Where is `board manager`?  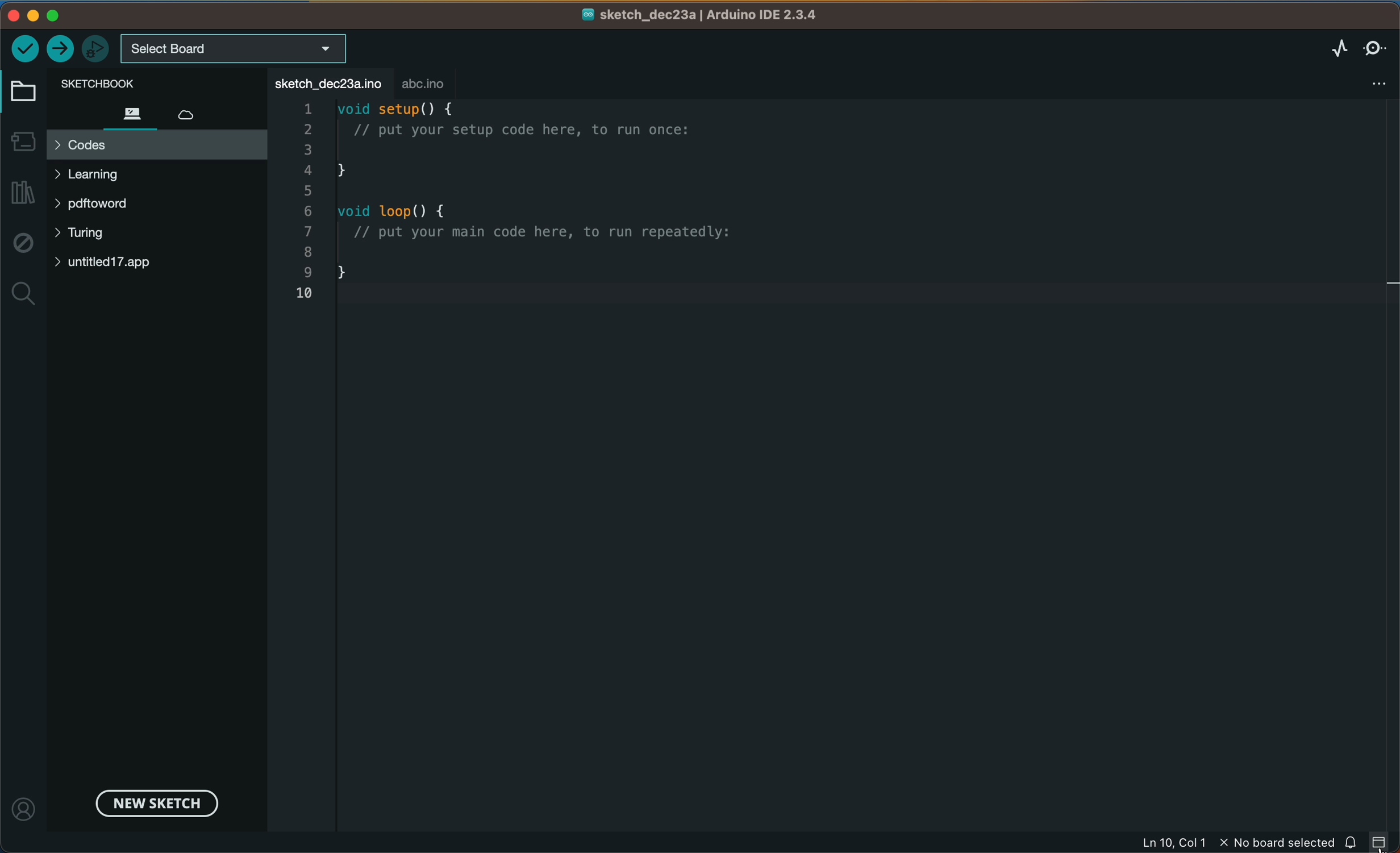
board manager is located at coordinates (21, 141).